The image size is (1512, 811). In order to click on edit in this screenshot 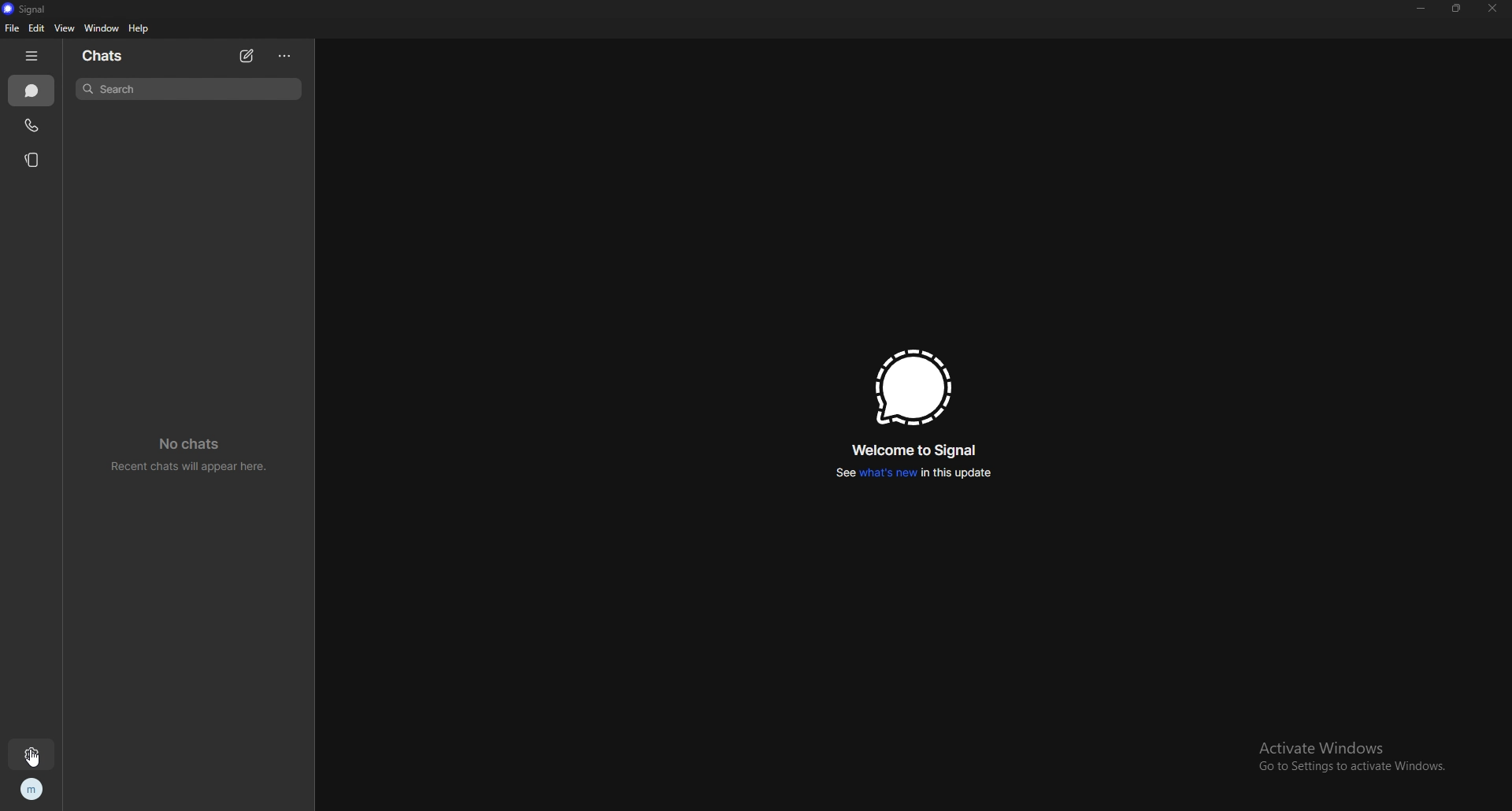, I will do `click(38, 28)`.